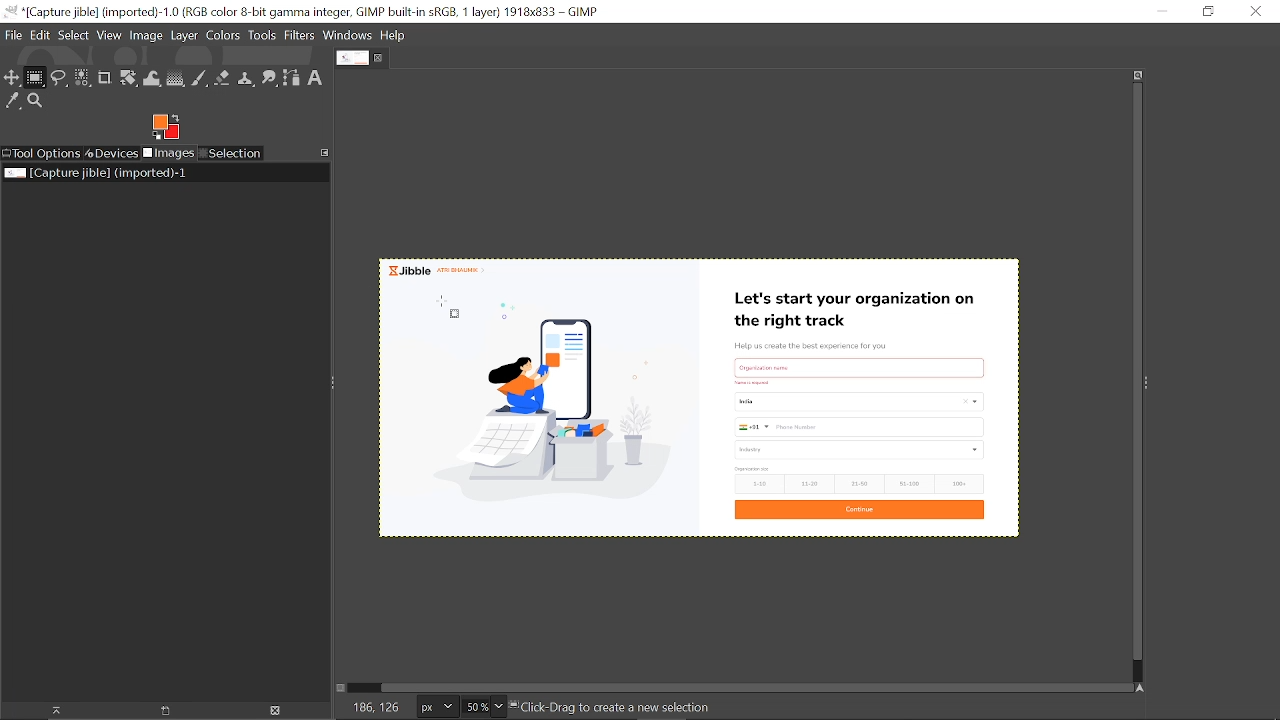  I want to click on Delete, so click(275, 710).